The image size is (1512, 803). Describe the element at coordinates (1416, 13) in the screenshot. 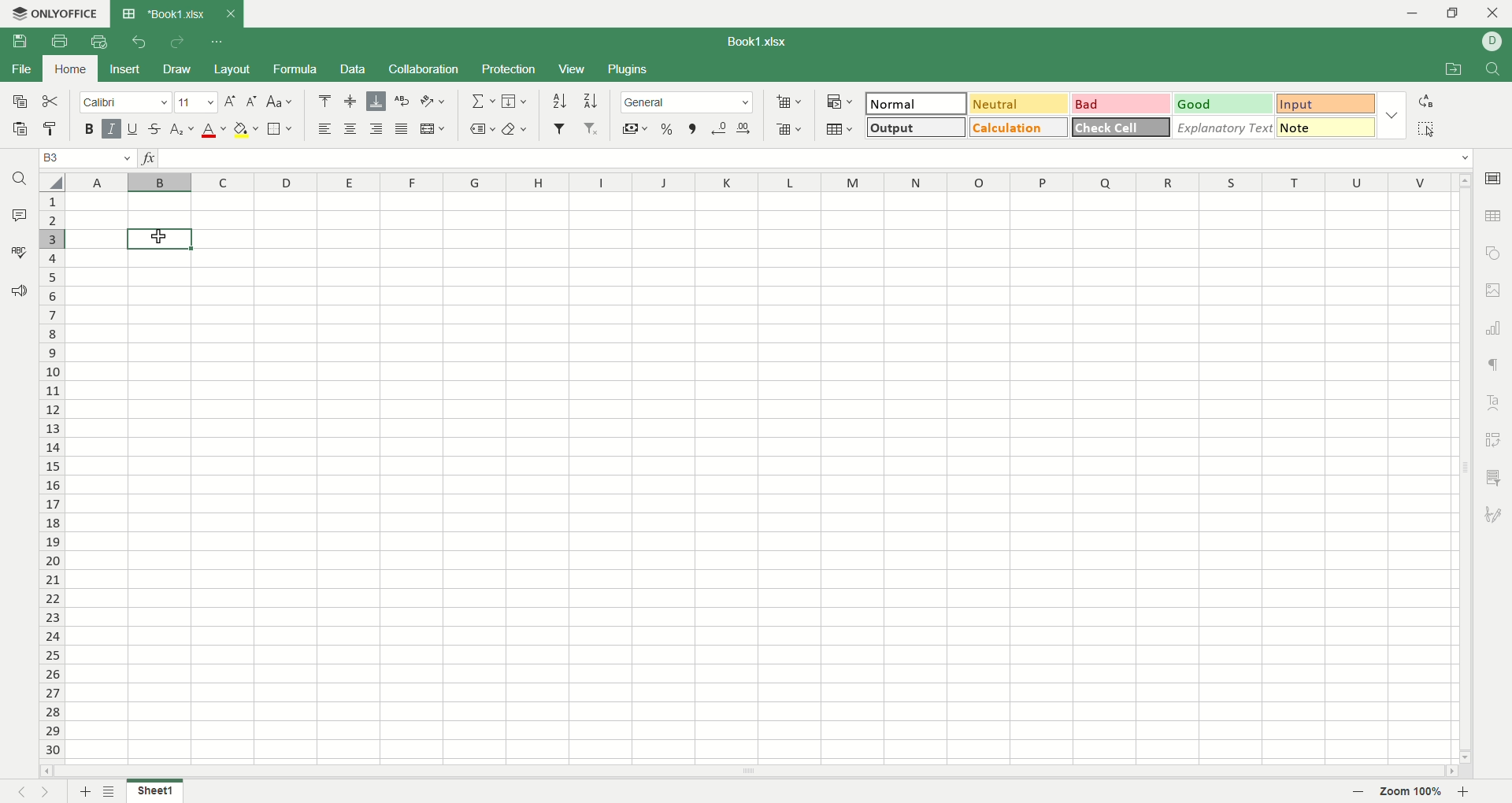

I see `minimize` at that location.